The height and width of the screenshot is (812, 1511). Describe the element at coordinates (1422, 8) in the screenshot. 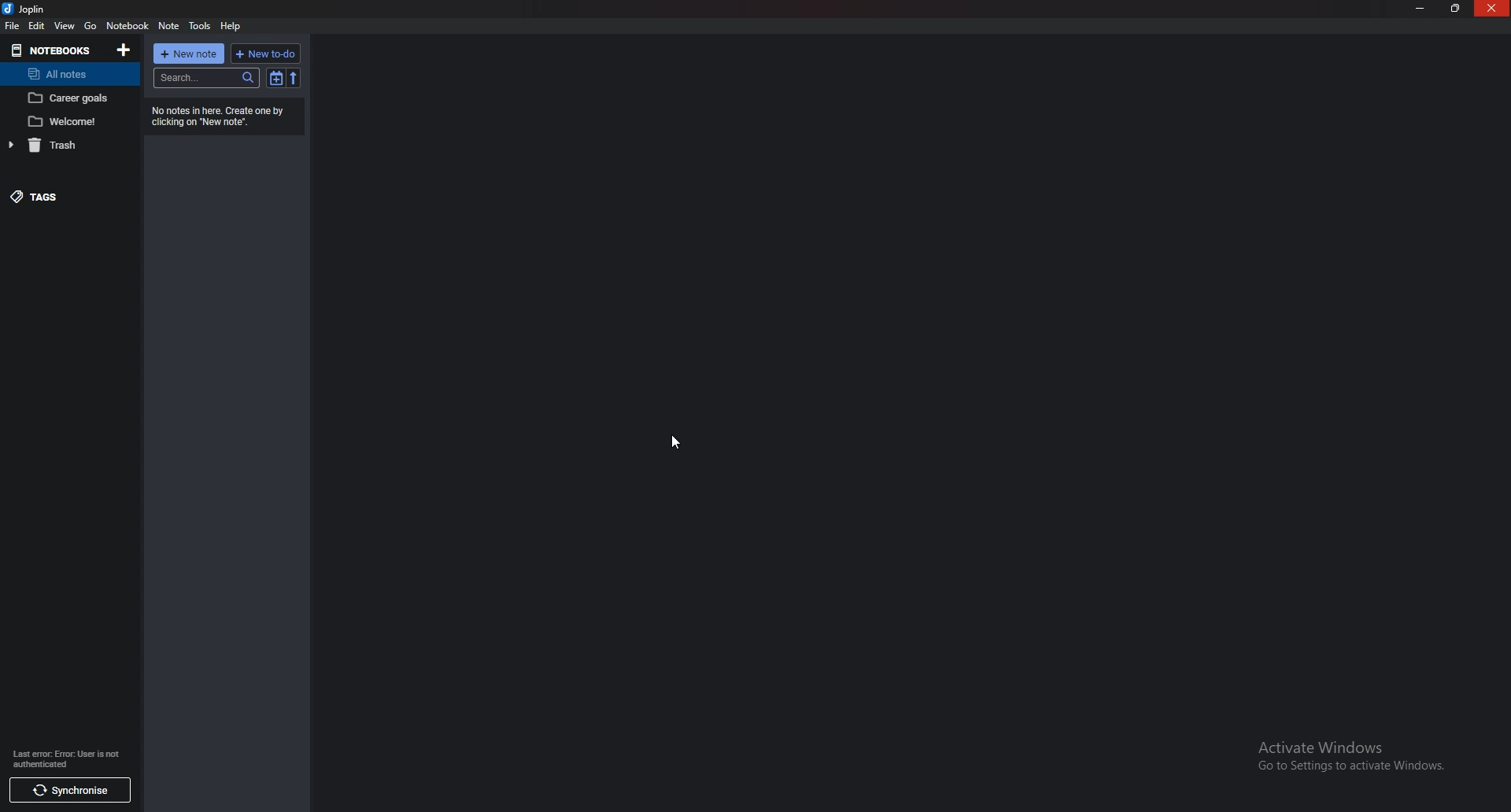

I see `Minimize` at that location.